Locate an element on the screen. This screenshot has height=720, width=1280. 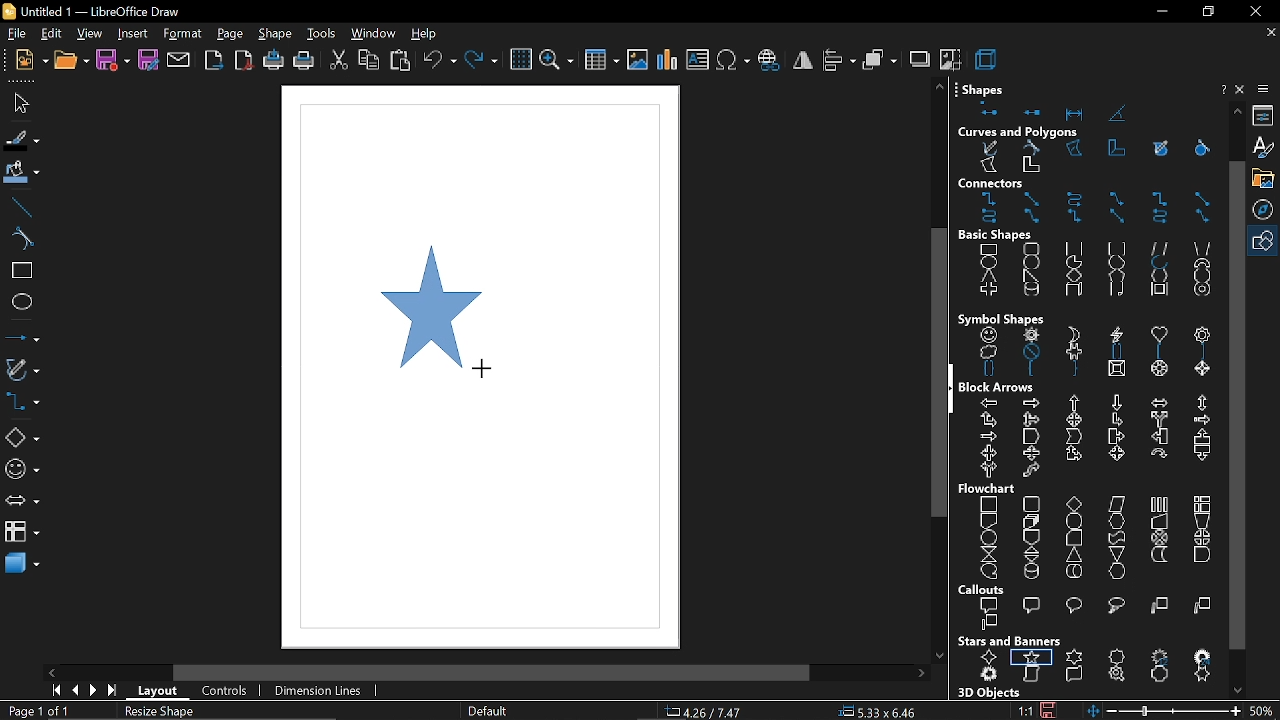
shape is located at coordinates (276, 34).